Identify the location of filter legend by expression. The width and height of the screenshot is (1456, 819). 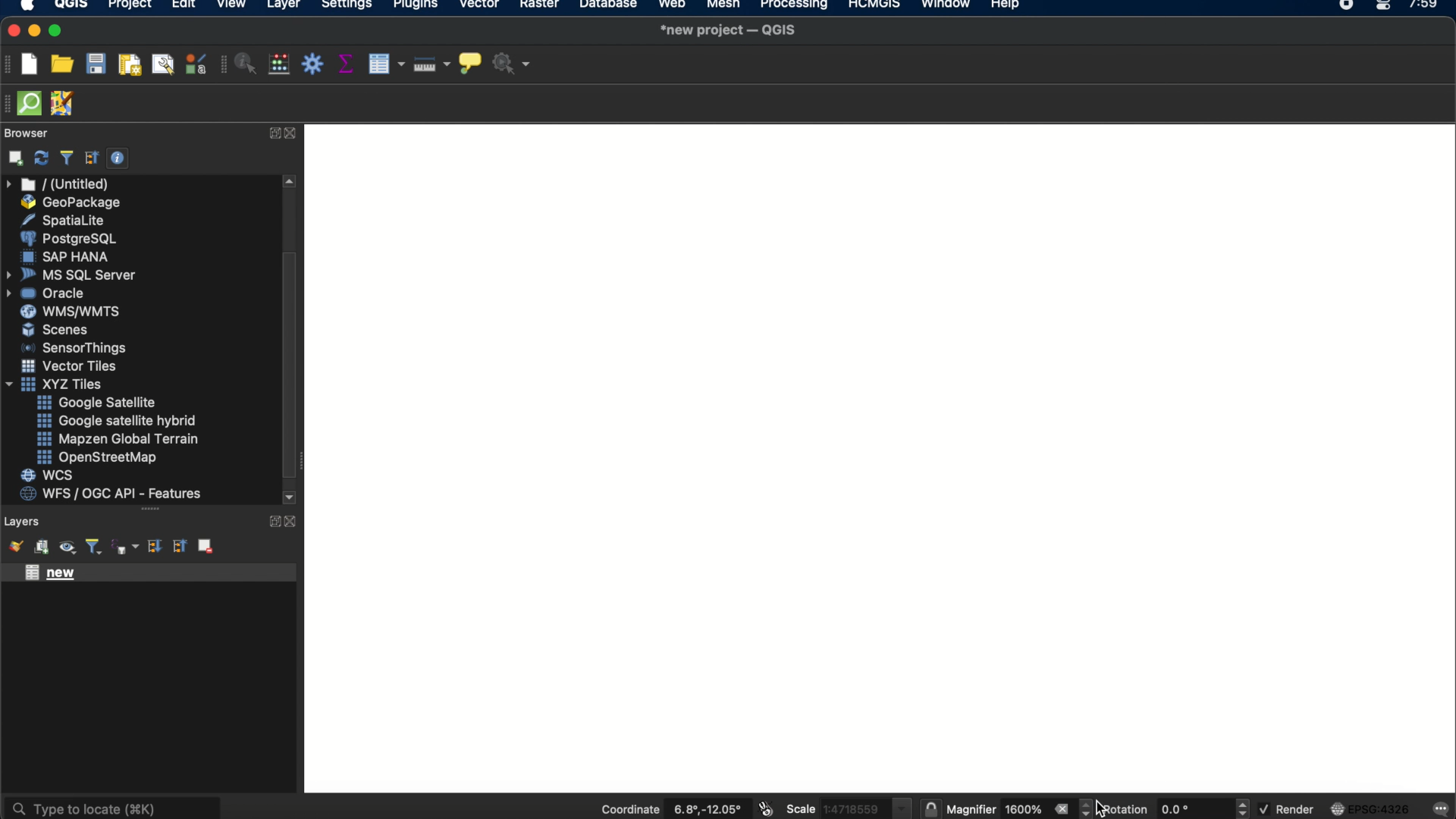
(127, 547).